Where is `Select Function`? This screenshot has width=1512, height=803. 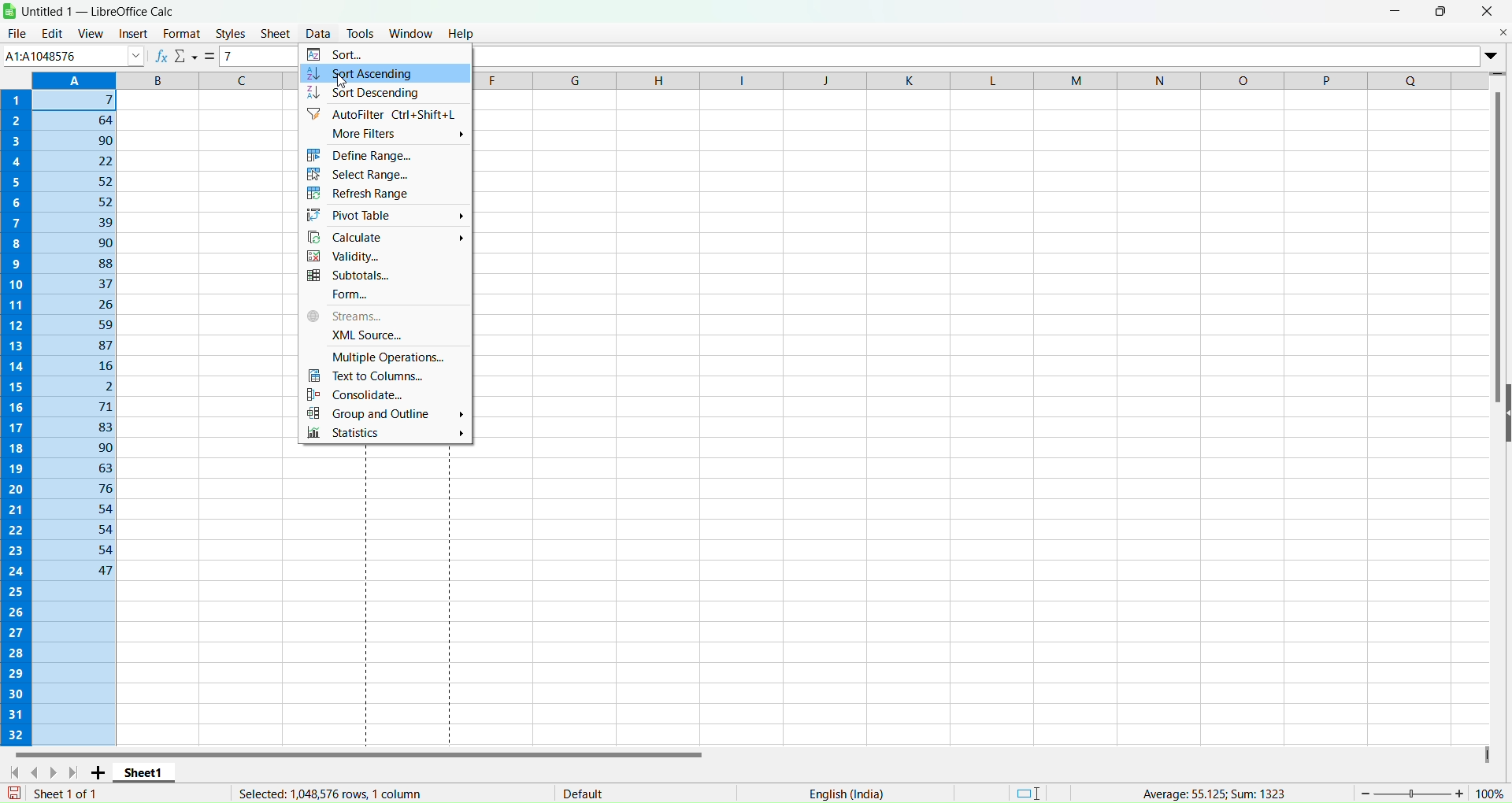 Select Function is located at coordinates (187, 57).